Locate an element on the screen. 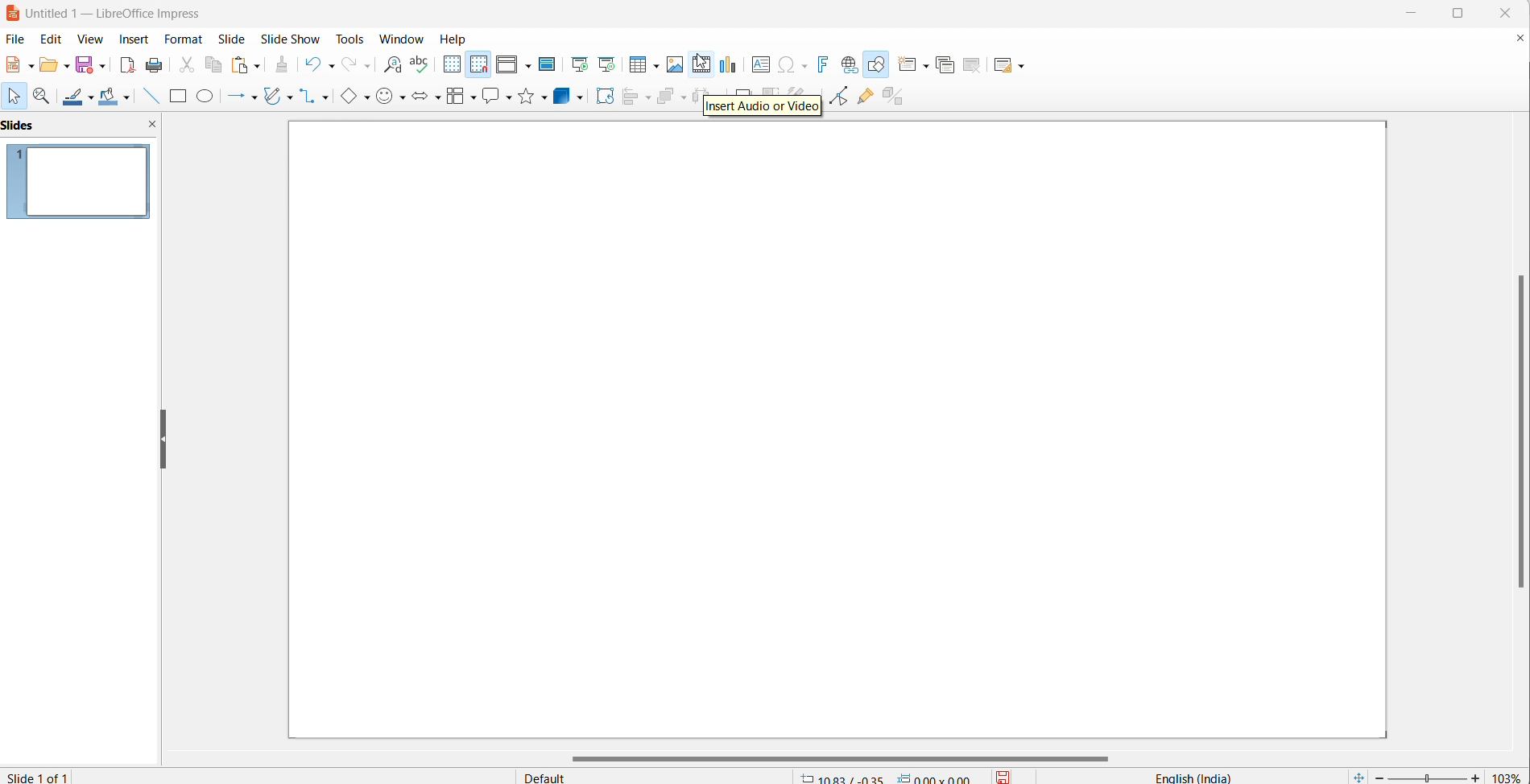 This screenshot has width=1530, height=784. rectangle is located at coordinates (176, 97).